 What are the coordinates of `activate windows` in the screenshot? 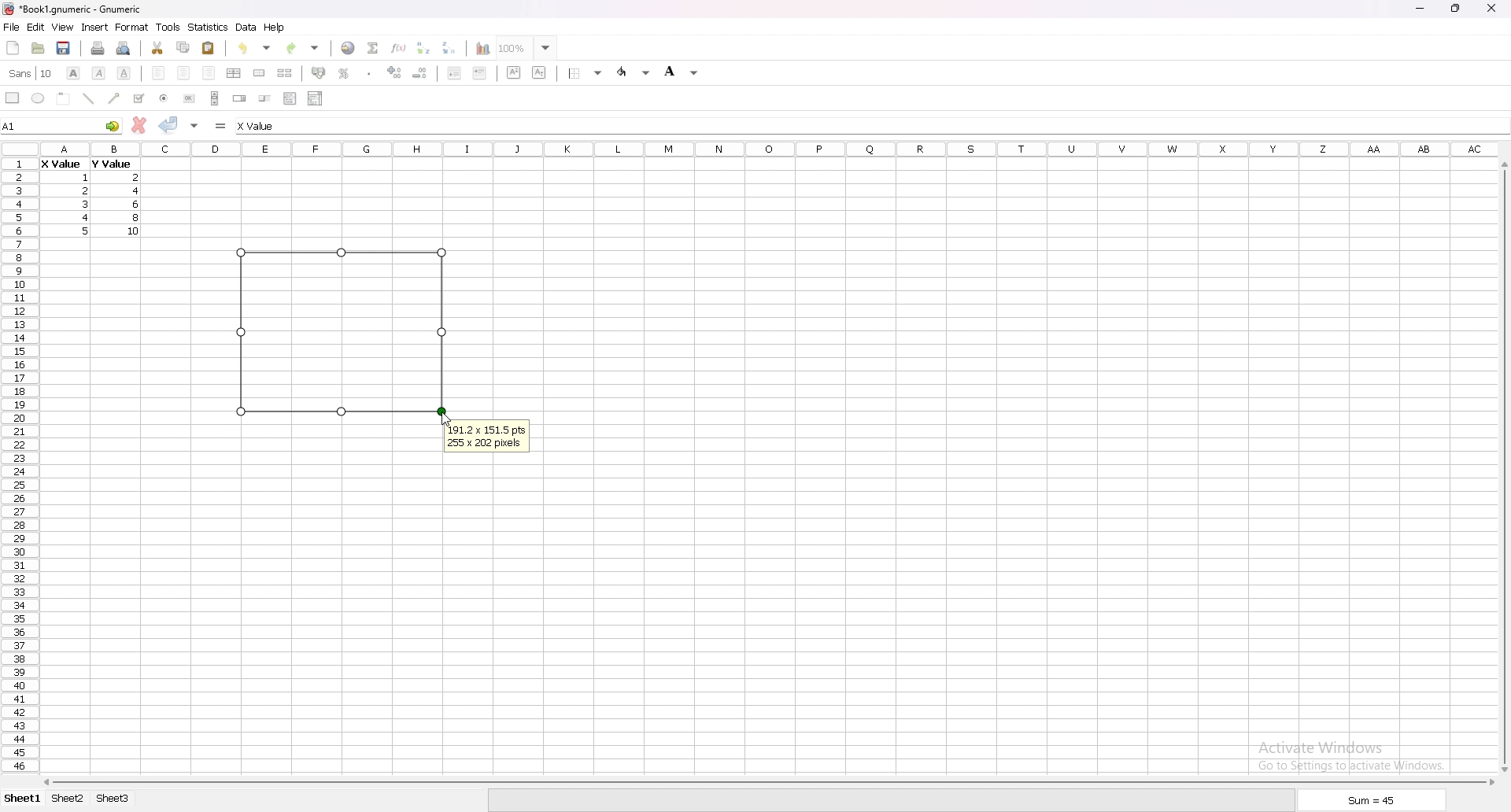 It's located at (1357, 754).